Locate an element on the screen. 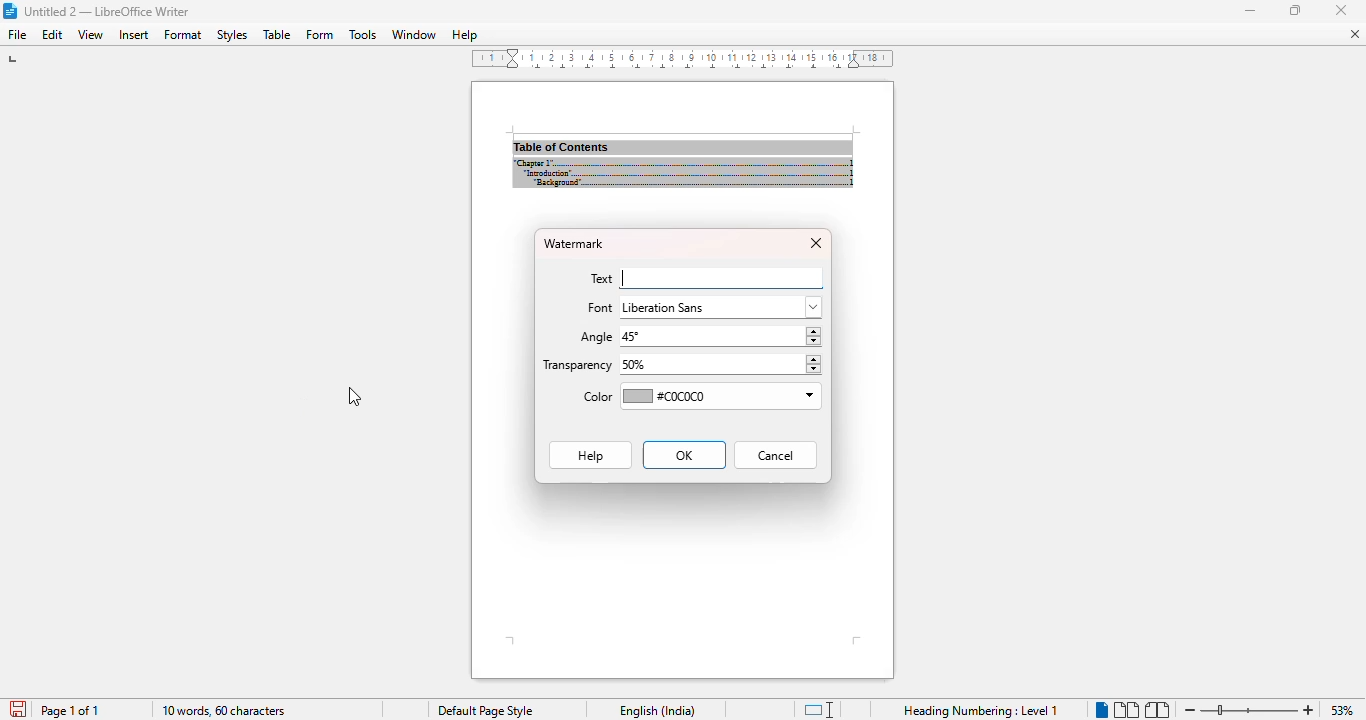  OK is located at coordinates (683, 455).